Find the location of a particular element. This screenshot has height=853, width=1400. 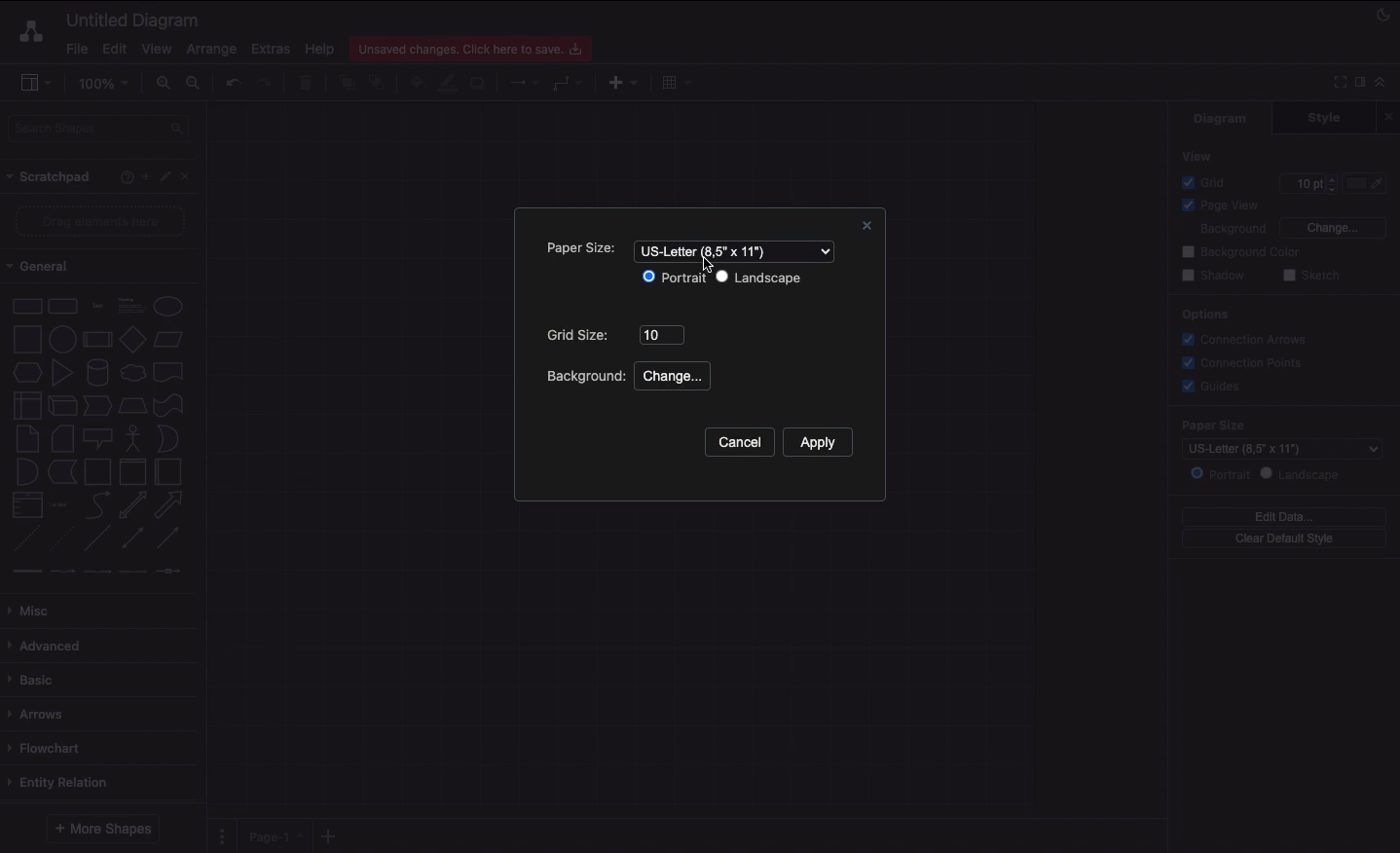

To back is located at coordinates (380, 82).